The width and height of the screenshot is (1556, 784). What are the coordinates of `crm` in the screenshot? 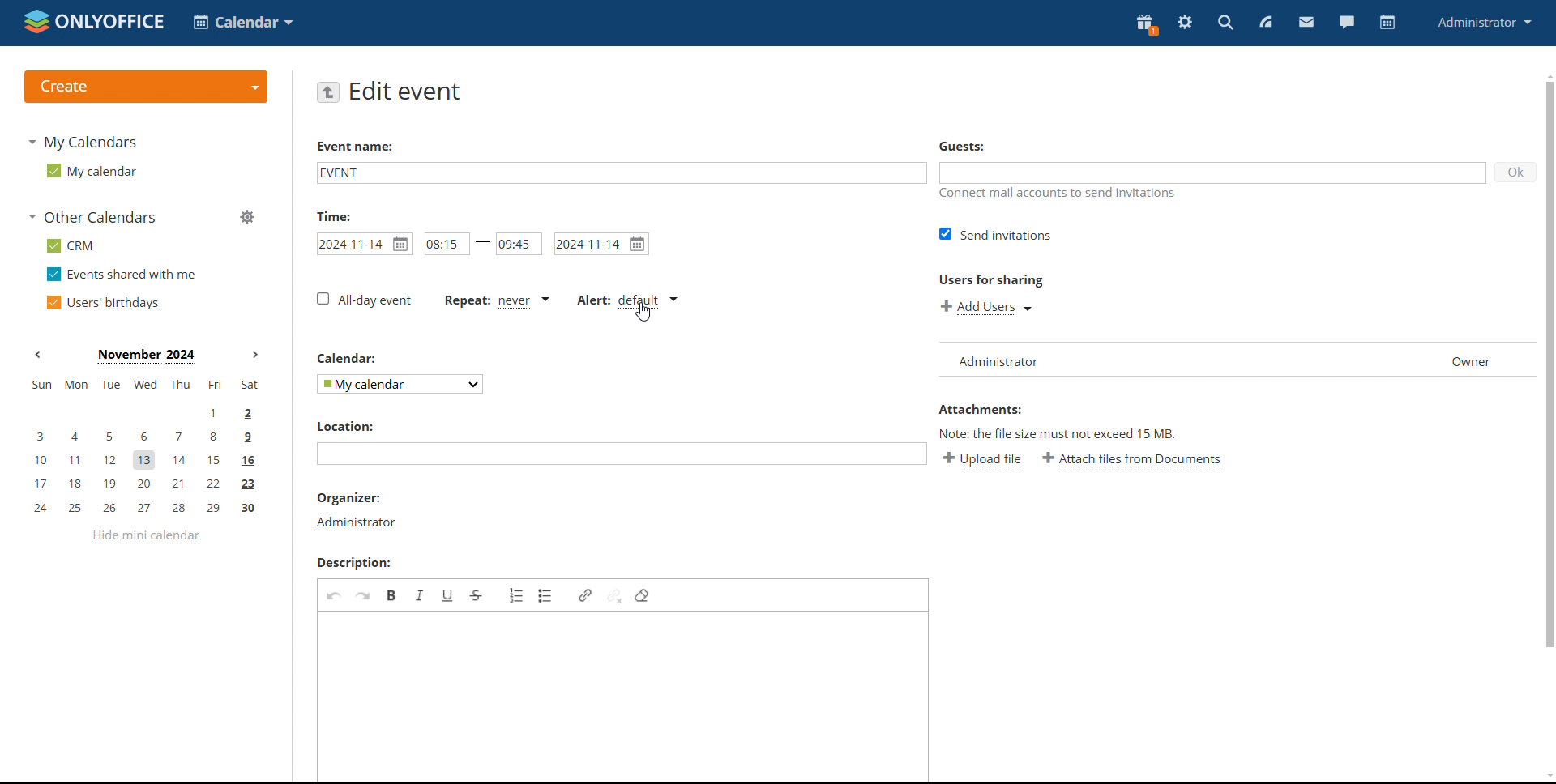 It's located at (68, 246).